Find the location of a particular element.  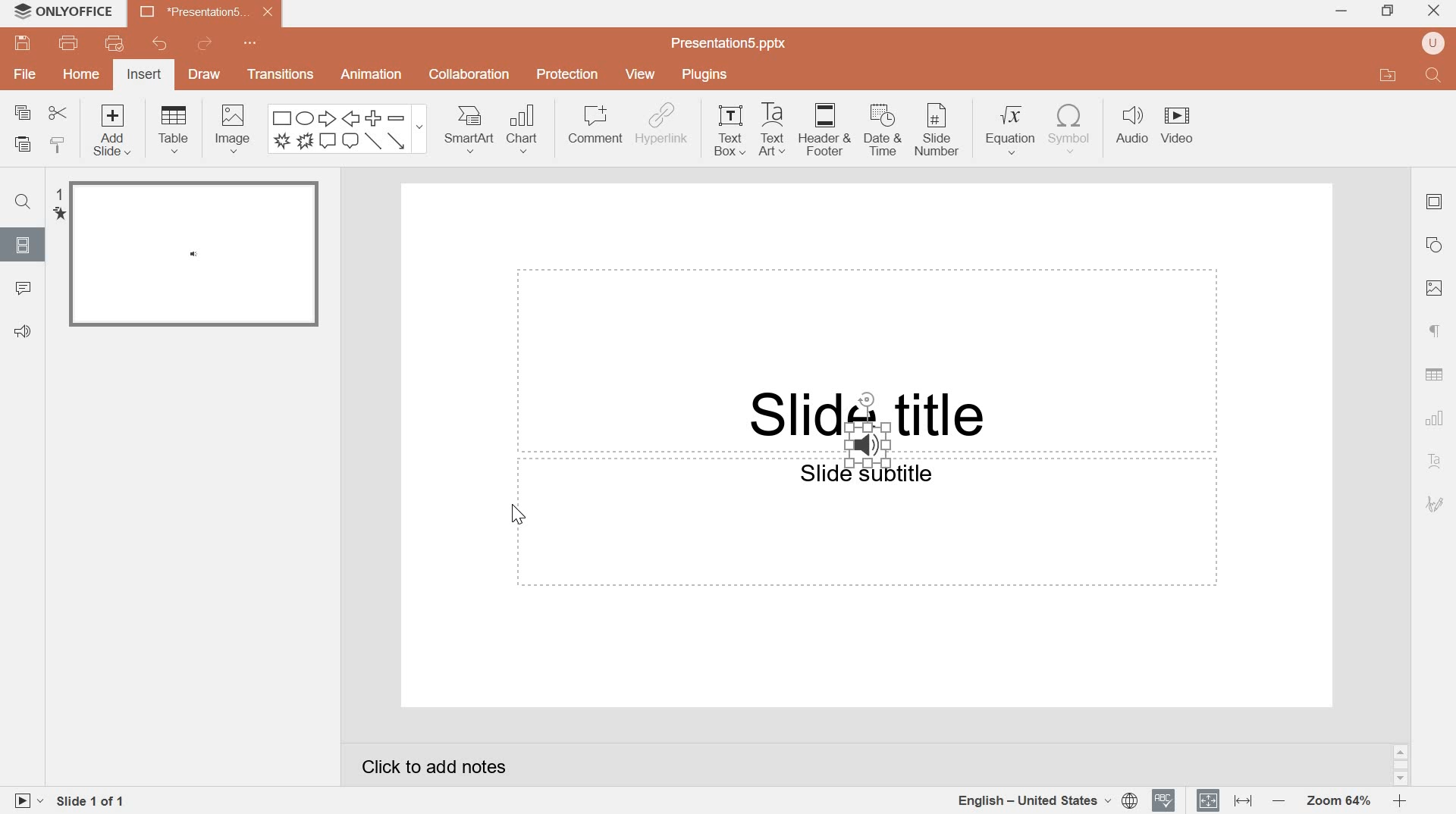

collaboration is located at coordinates (469, 75).